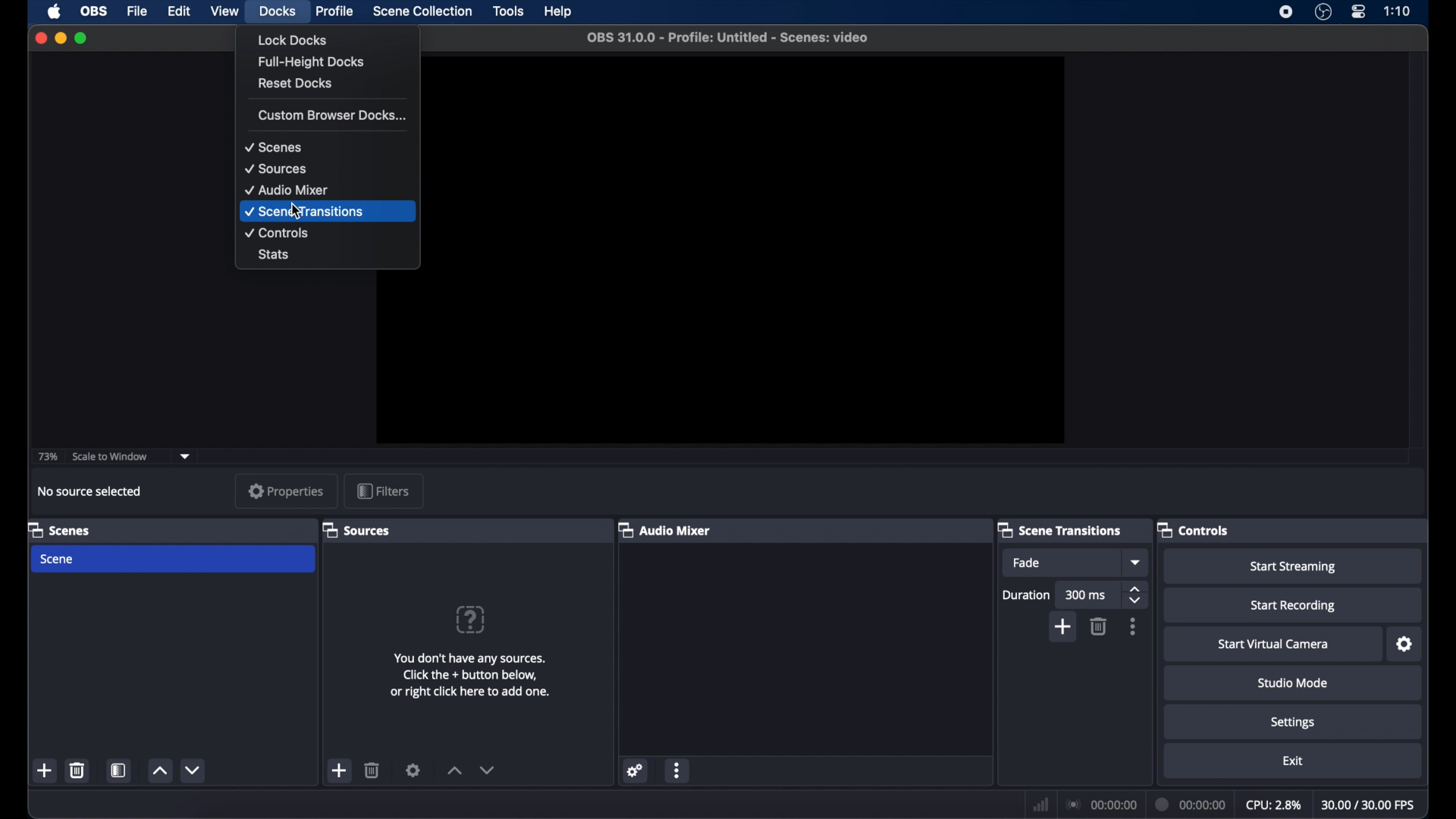  What do you see at coordinates (1194, 529) in the screenshot?
I see `controls` at bounding box center [1194, 529].